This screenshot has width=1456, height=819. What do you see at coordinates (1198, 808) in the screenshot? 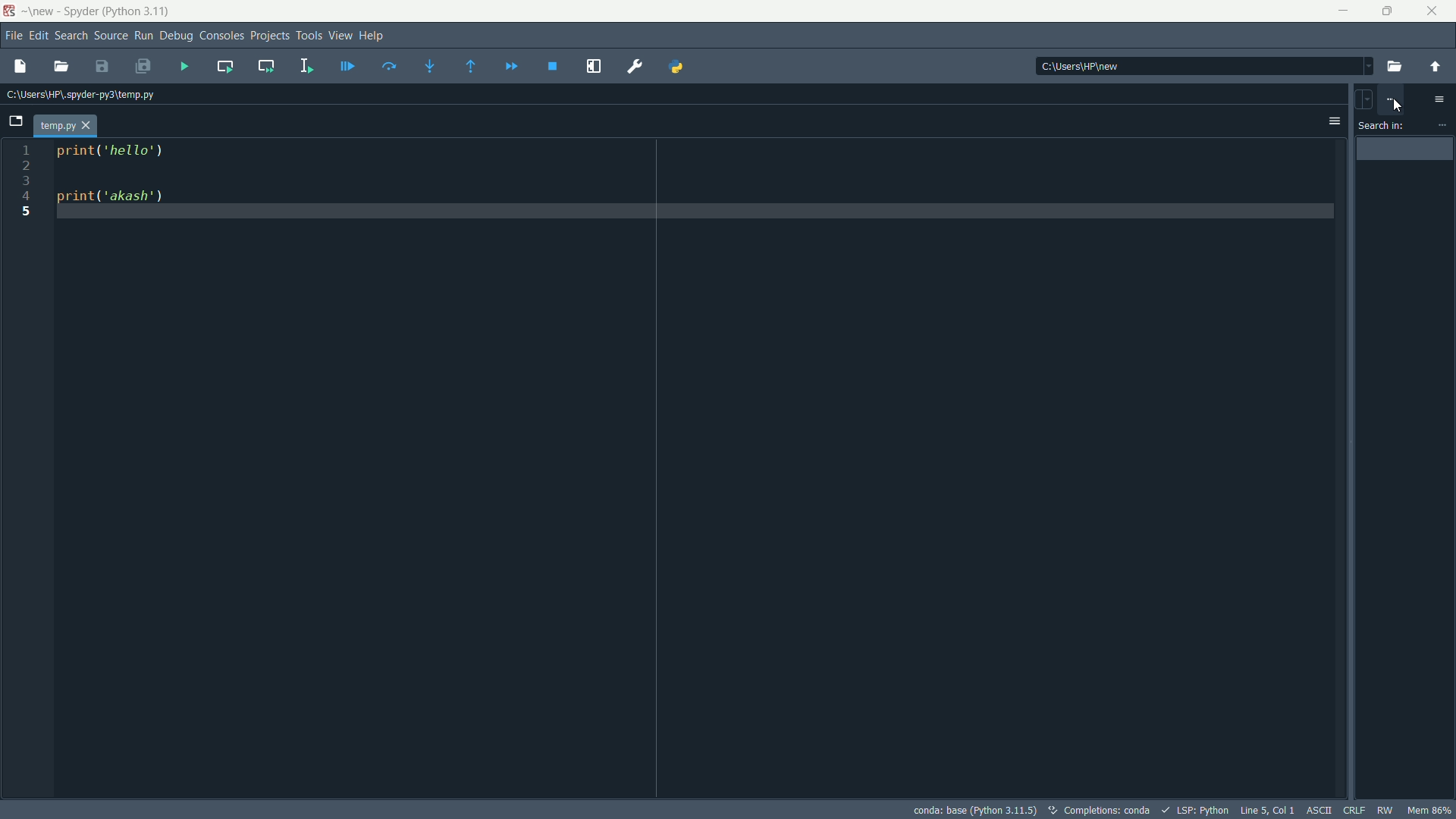
I see `LSP: Python` at bounding box center [1198, 808].